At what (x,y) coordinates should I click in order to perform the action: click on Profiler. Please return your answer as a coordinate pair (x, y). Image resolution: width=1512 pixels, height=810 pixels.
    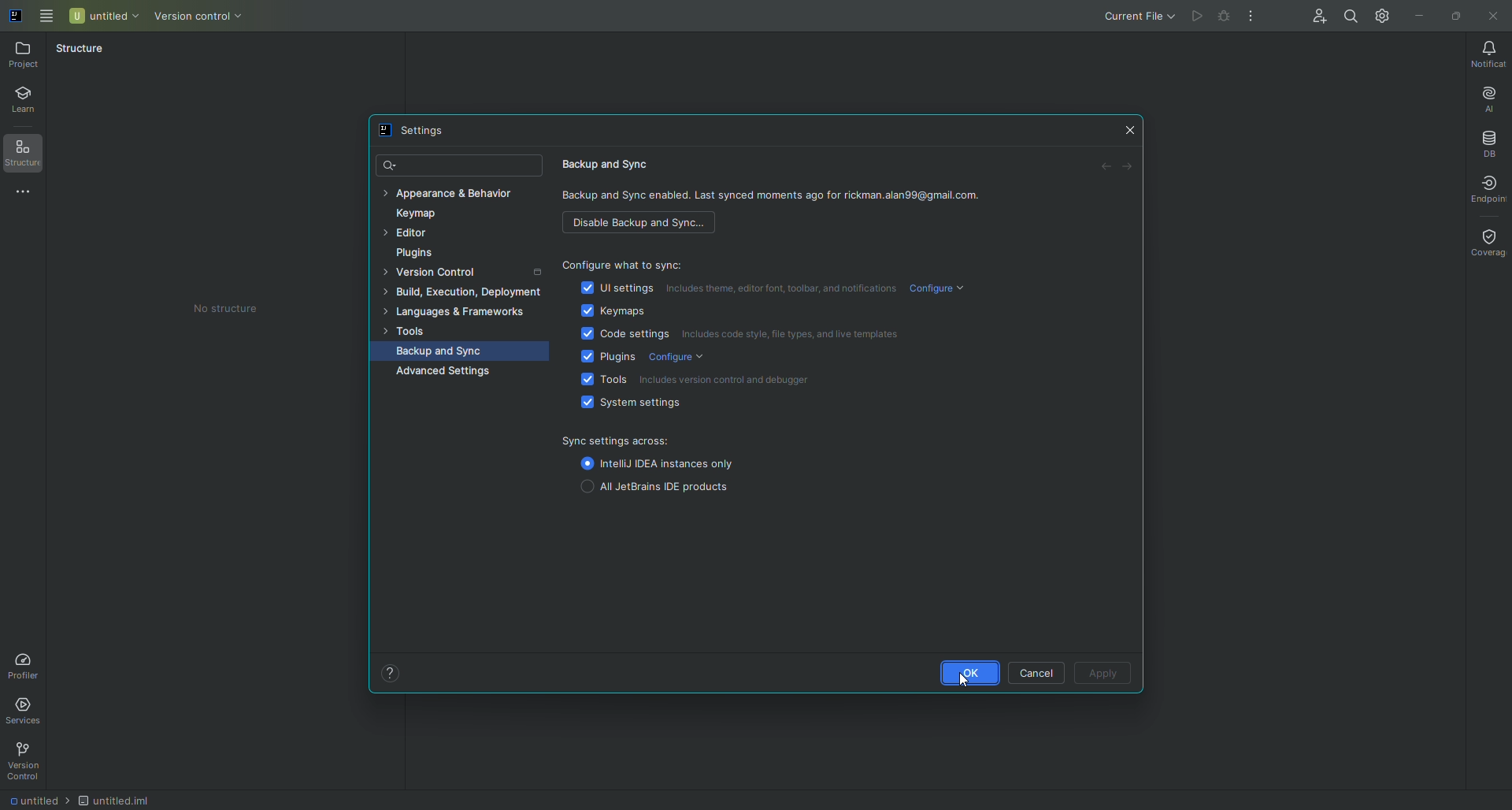
    Looking at the image, I should click on (24, 663).